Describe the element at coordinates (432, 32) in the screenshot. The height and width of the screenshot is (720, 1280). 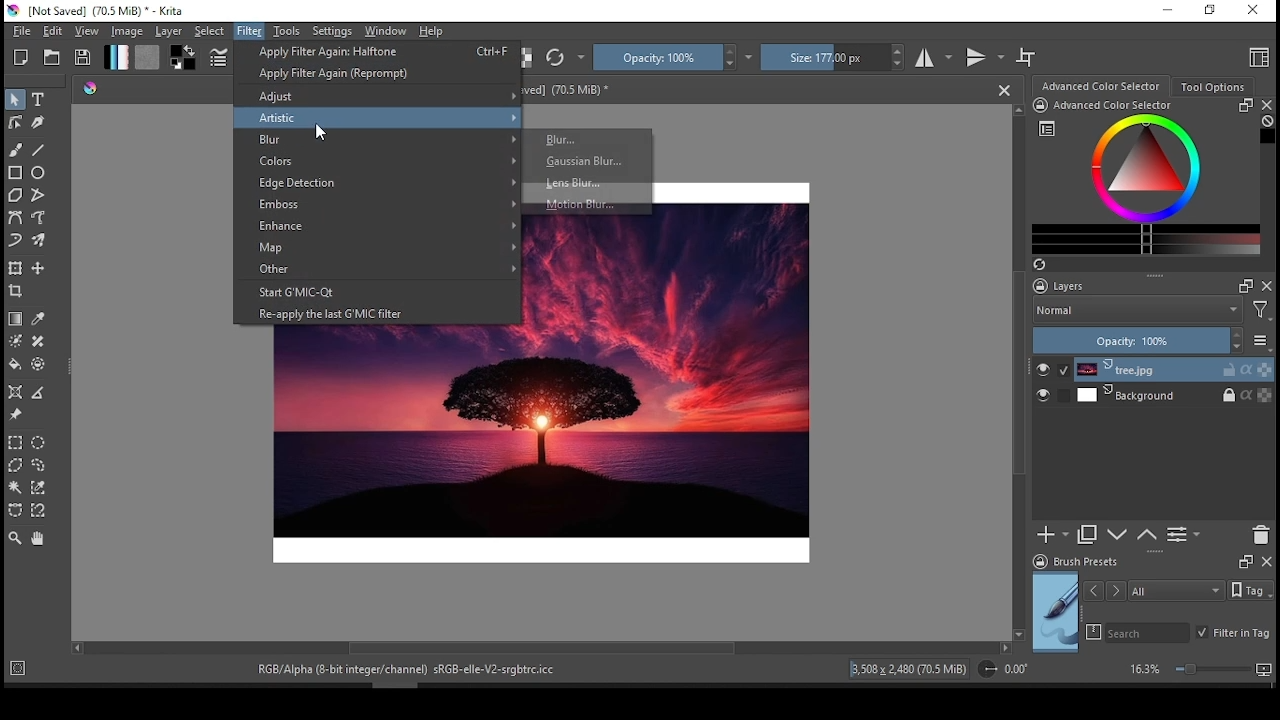
I see `help` at that location.